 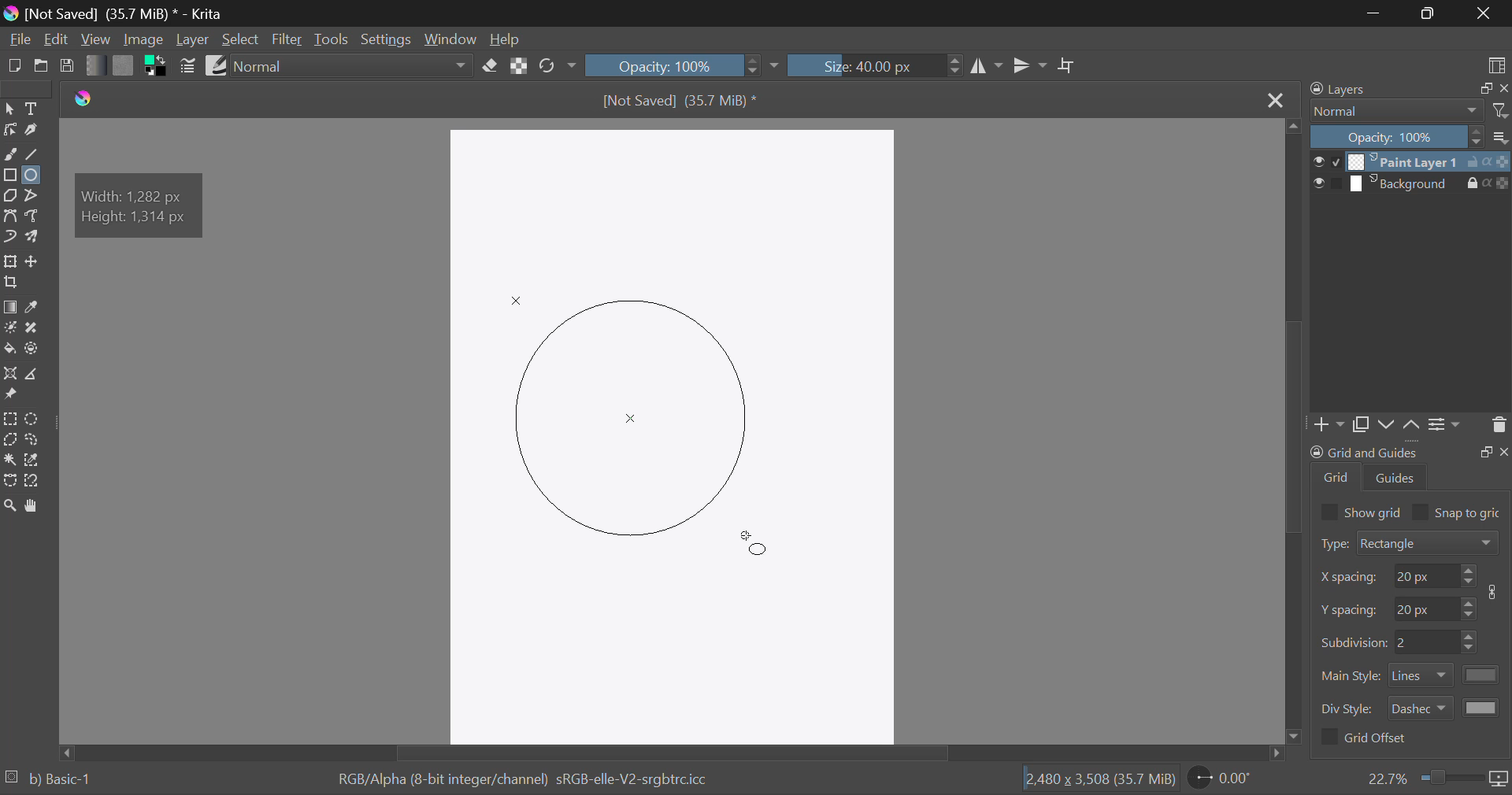 I want to click on Minimize, so click(x=1431, y=13).